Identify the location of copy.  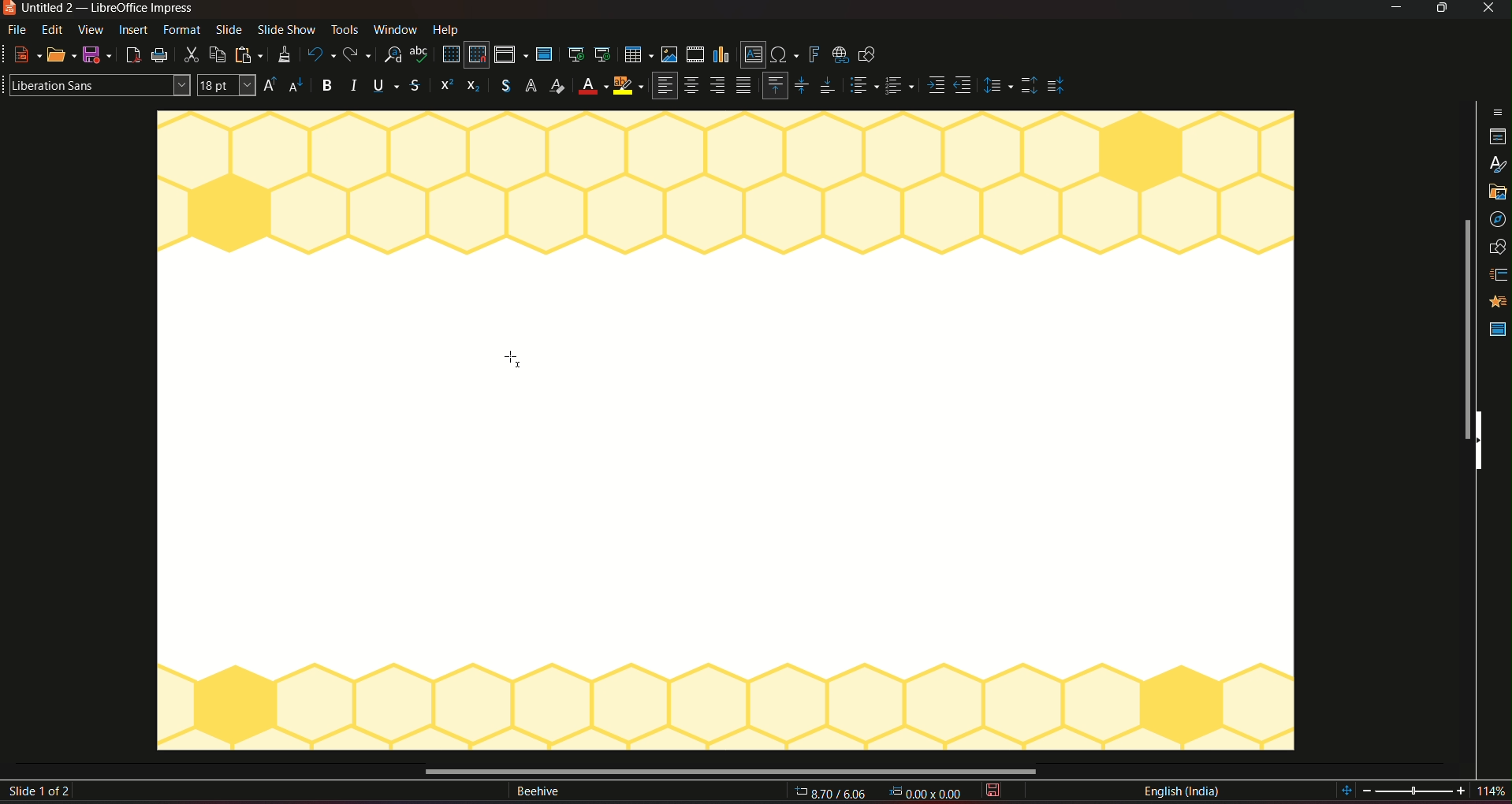
(218, 54).